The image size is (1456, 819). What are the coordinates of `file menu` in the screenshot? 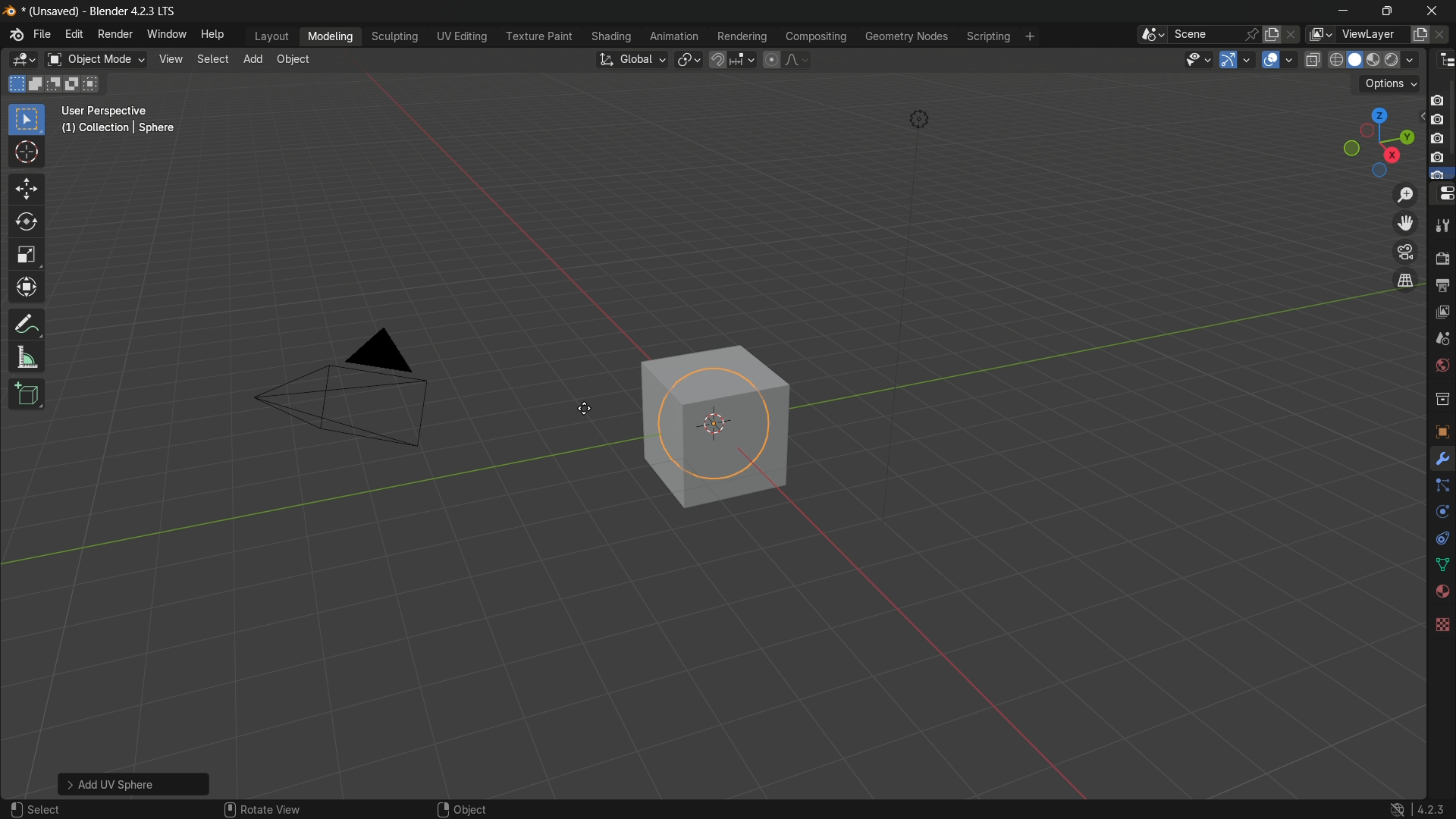 It's located at (43, 35).